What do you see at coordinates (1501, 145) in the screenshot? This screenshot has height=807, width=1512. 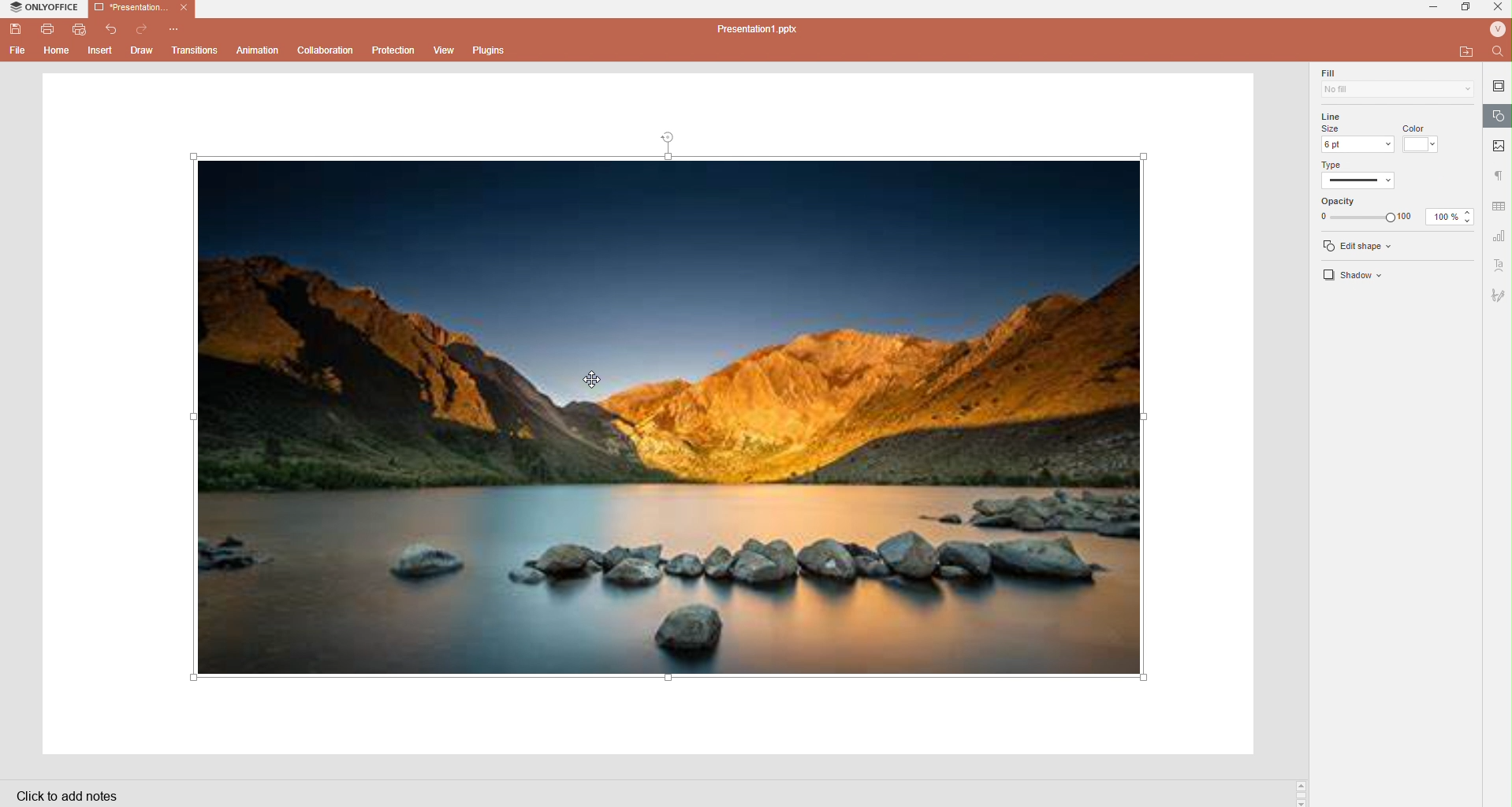 I see `Picture settings` at bounding box center [1501, 145].